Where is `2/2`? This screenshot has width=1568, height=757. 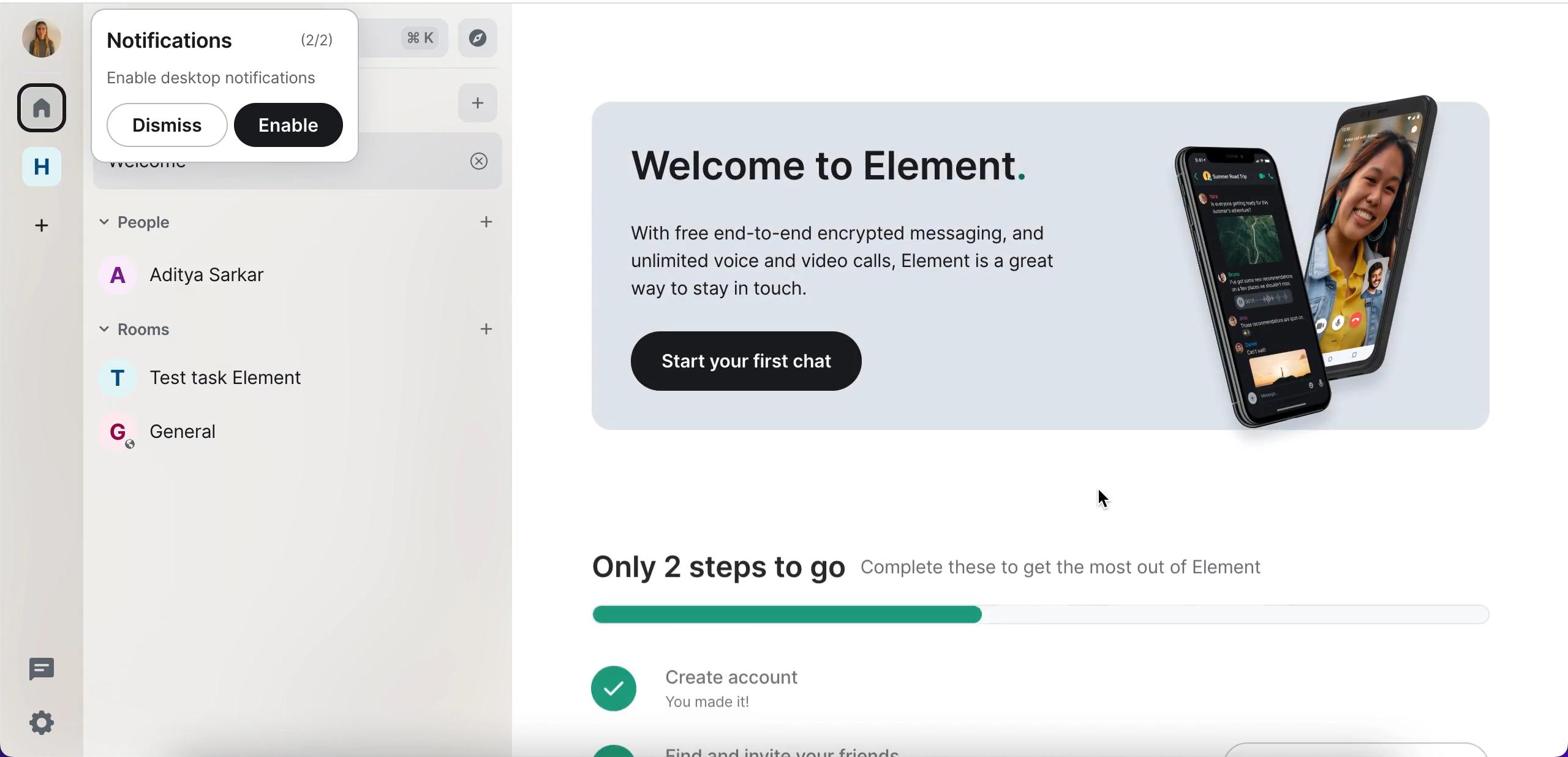 2/2 is located at coordinates (318, 43).